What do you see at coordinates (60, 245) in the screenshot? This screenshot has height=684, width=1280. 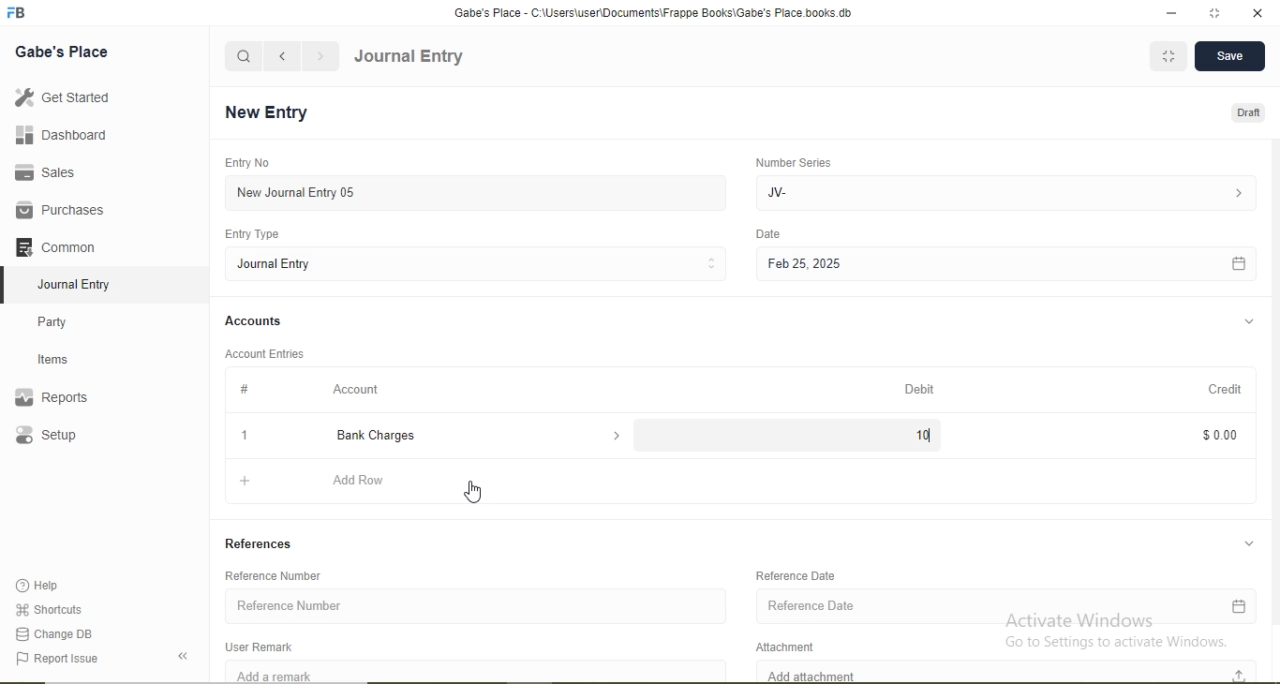 I see `Common` at bounding box center [60, 245].